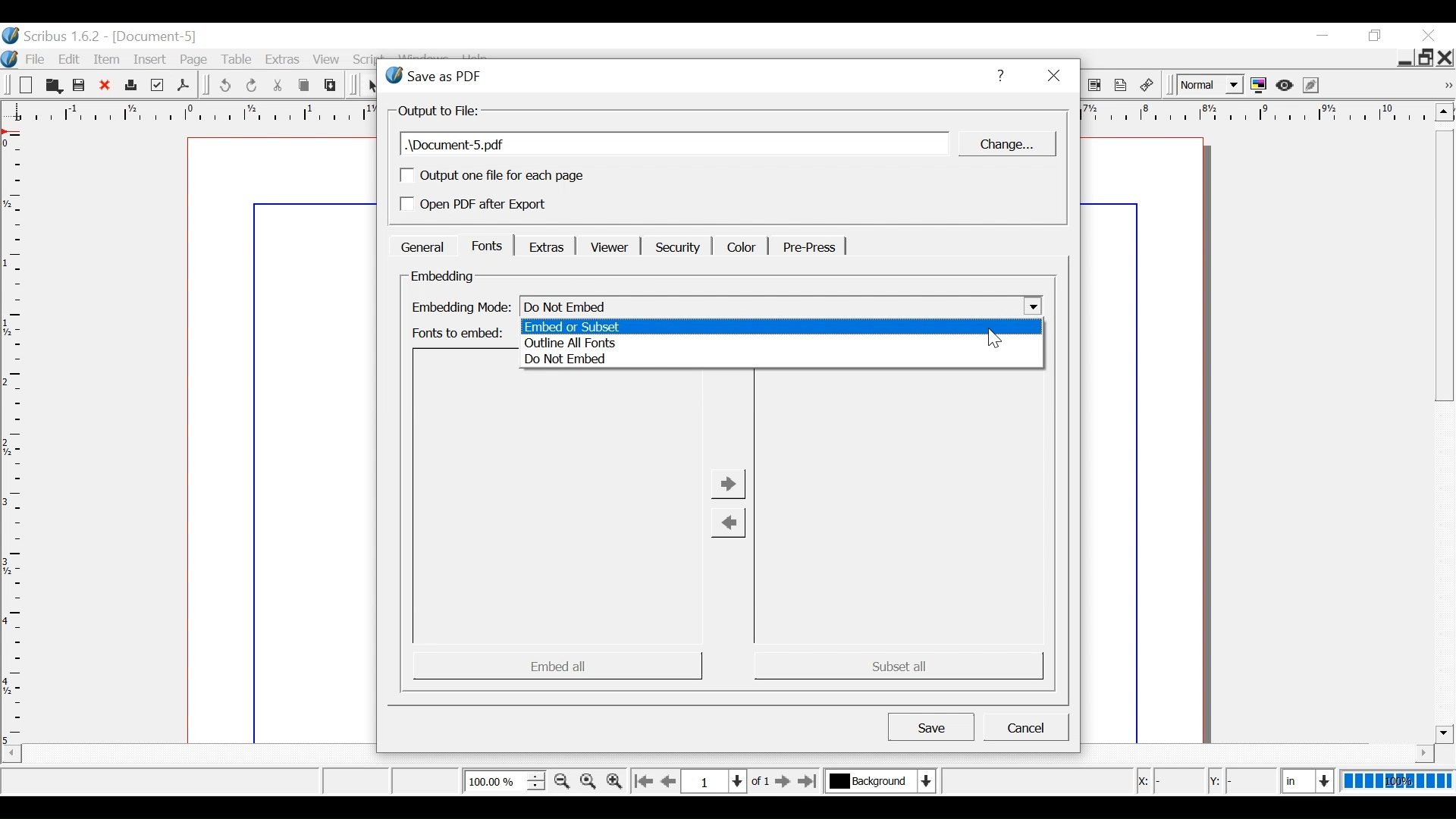 The width and height of the screenshot is (1456, 819). What do you see at coordinates (197, 60) in the screenshot?
I see `Page` at bounding box center [197, 60].